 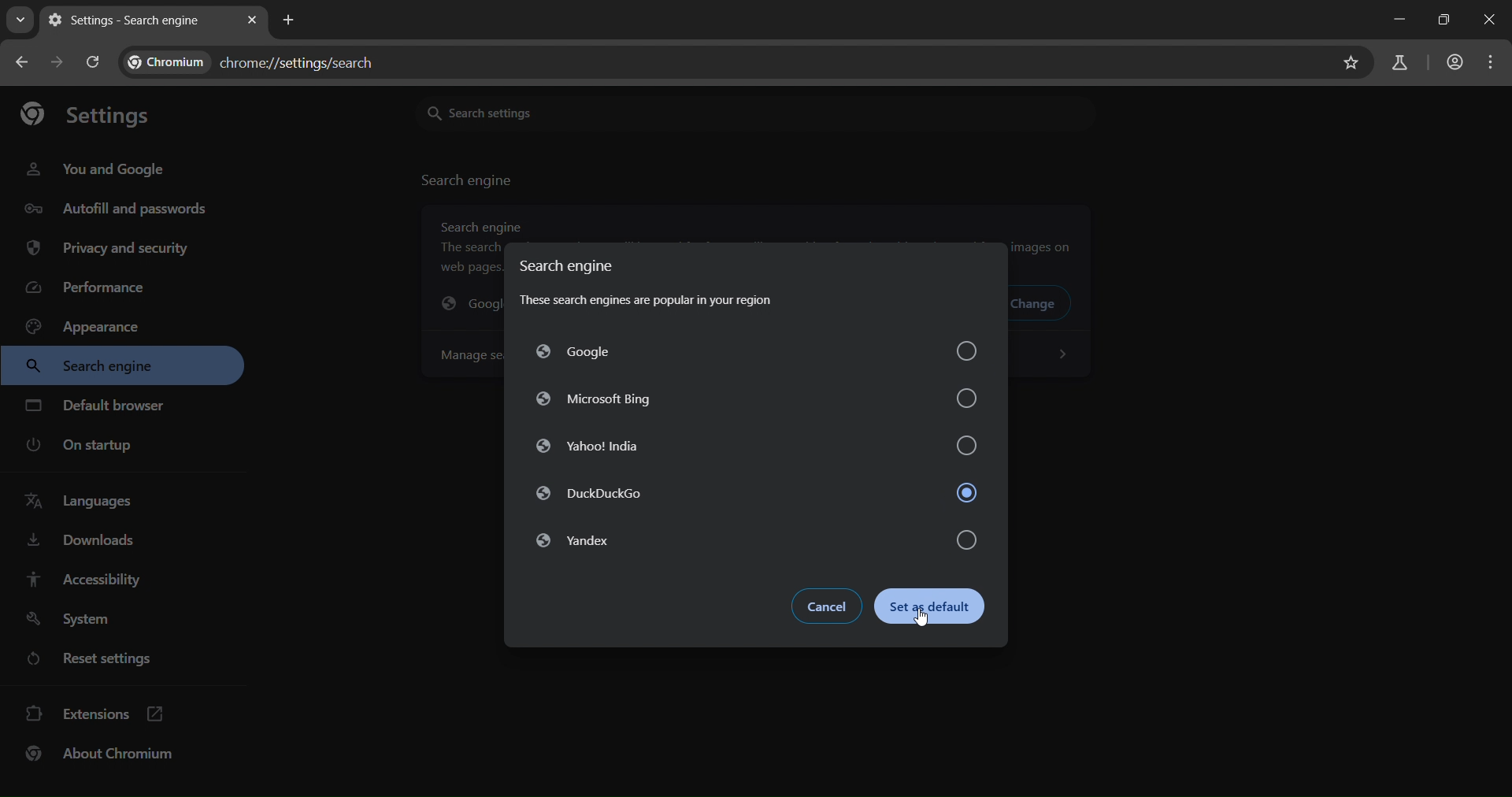 What do you see at coordinates (254, 17) in the screenshot?
I see `close tab` at bounding box center [254, 17].